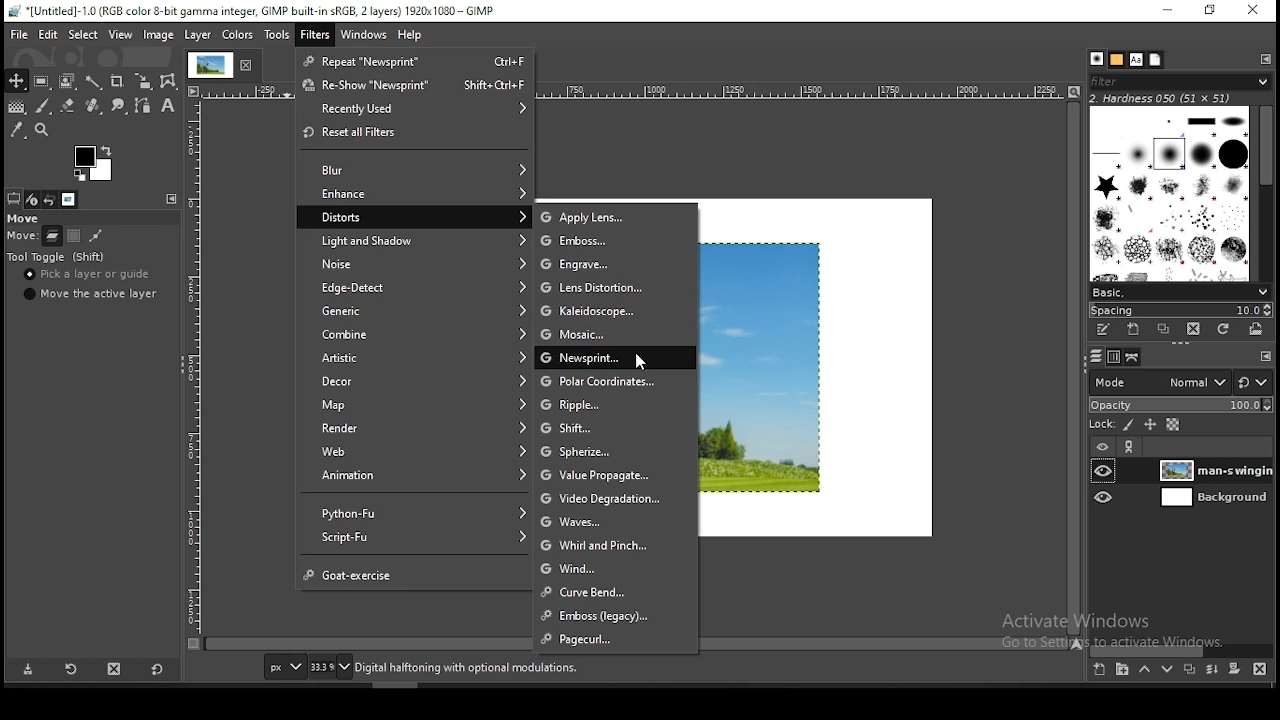 The height and width of the screenshot is (720, 1280). What do you see at coordinates (1263, 60) in the screenshot?
I see `configure this tab` at bounding box center [1263, 60].